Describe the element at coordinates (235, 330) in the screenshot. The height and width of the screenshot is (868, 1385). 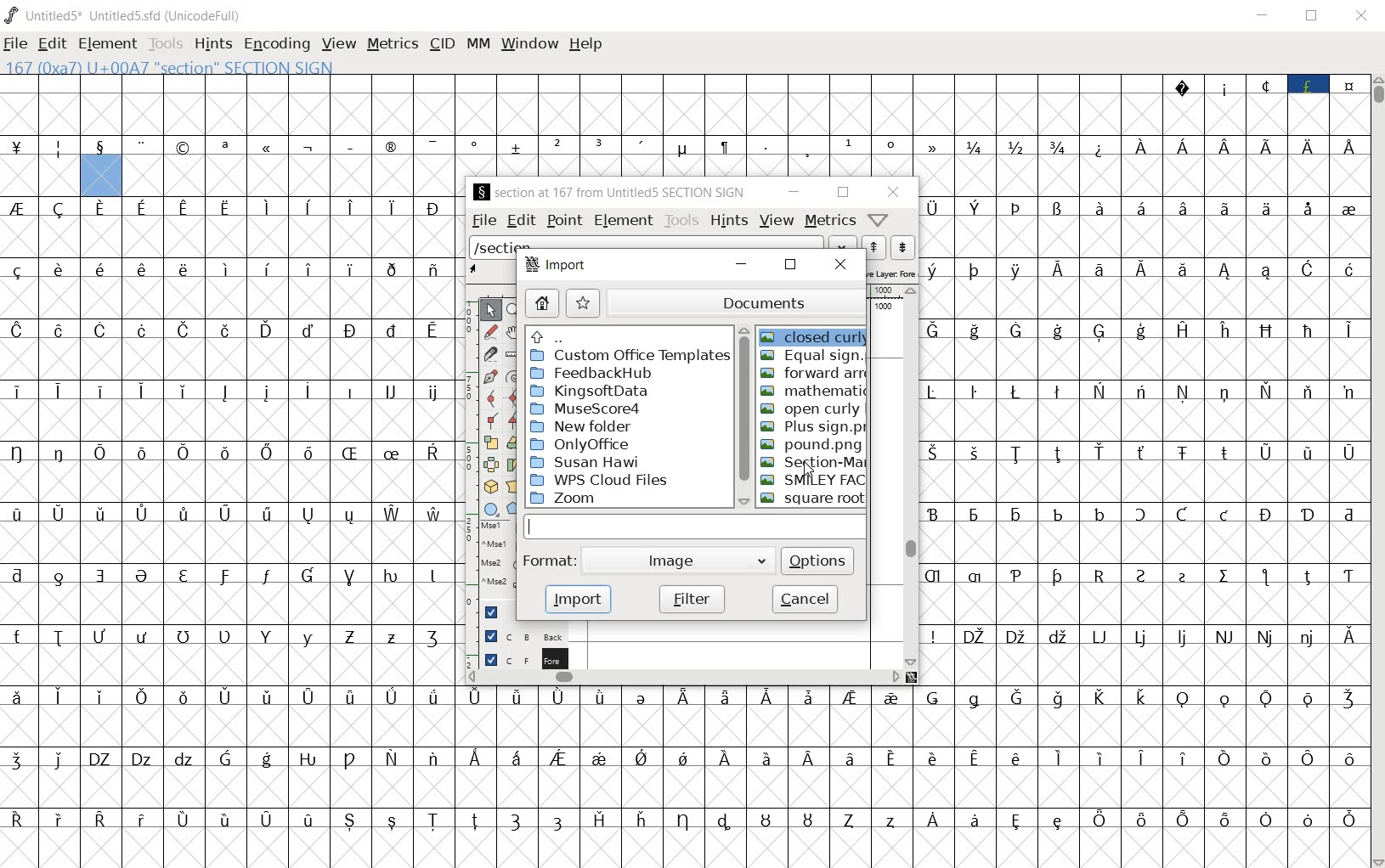
I see `special letters` at that location.